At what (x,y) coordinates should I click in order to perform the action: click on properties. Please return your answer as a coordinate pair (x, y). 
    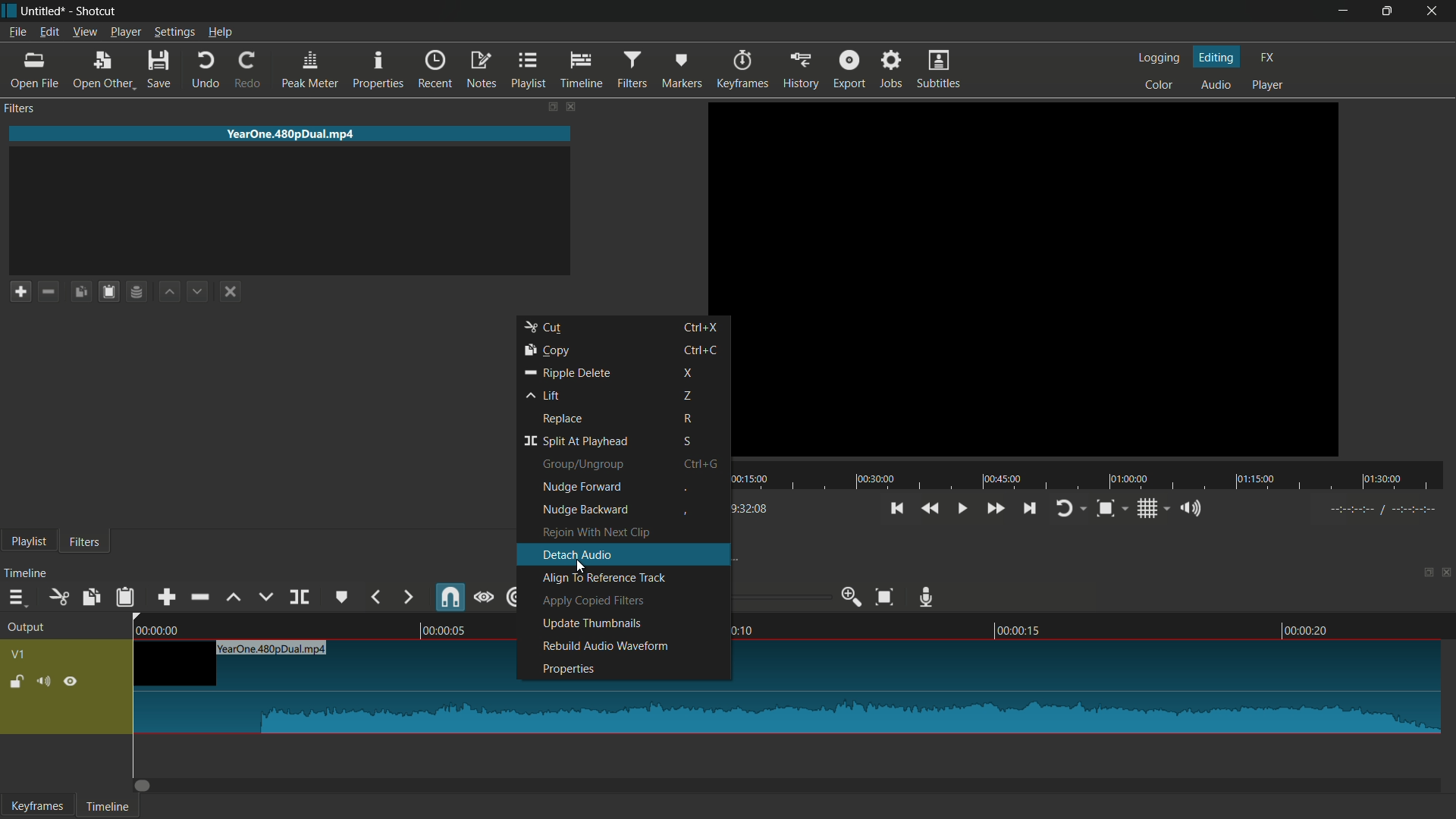
    Looking at the image, I should click on (568, 670).